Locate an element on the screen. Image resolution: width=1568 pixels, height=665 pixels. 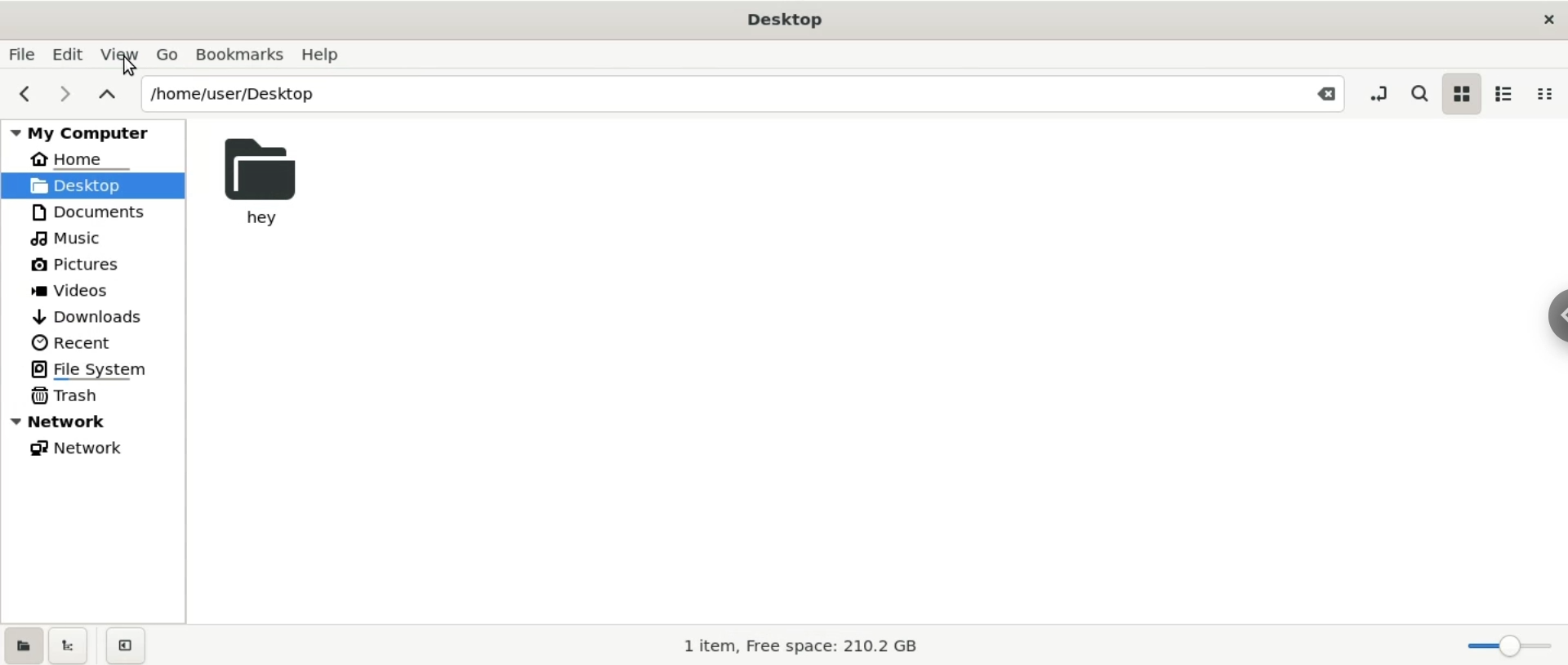
File is located at coordinates (21, 53).